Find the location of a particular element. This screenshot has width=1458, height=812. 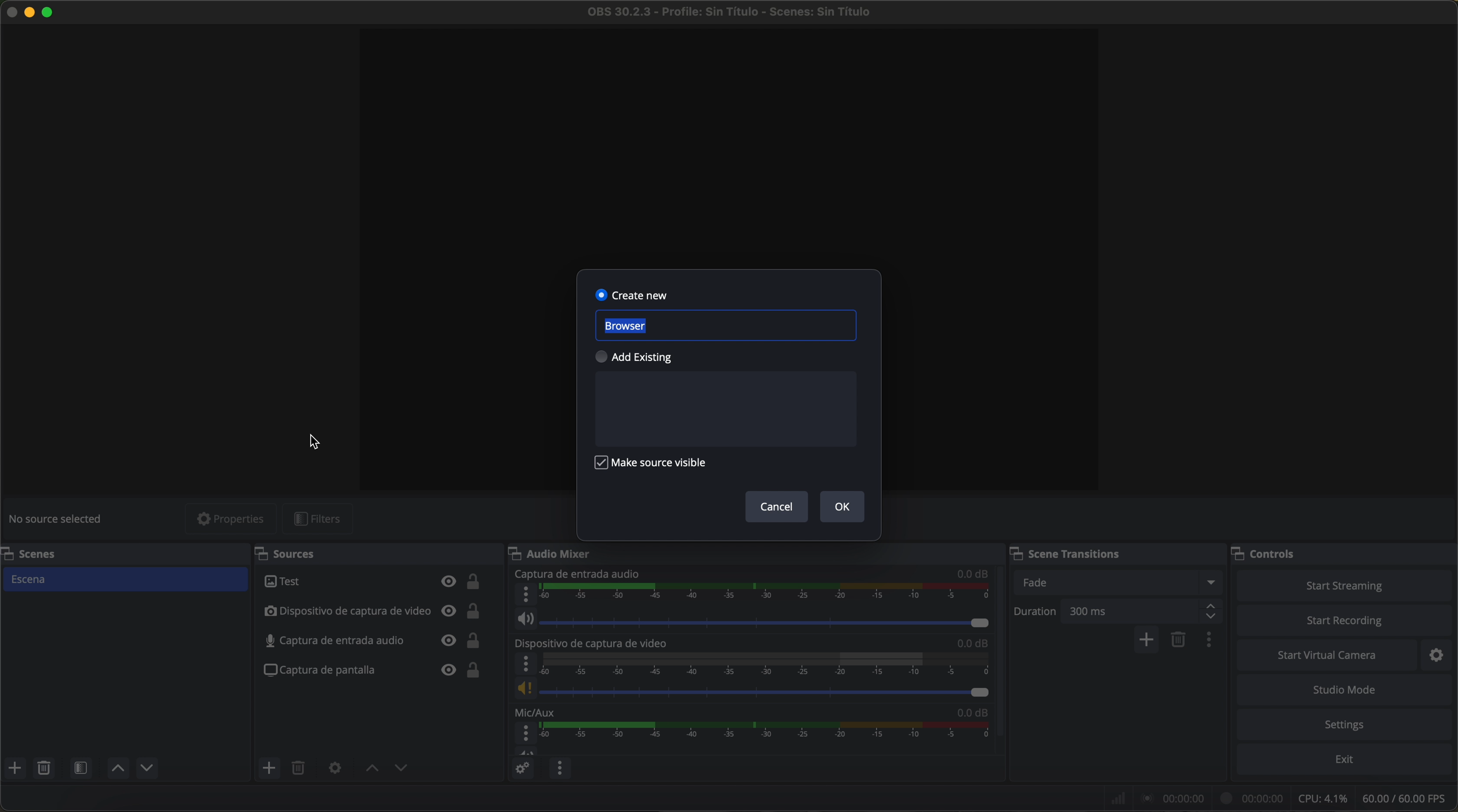

audio mixer menu is located at coordinates (560, 767).